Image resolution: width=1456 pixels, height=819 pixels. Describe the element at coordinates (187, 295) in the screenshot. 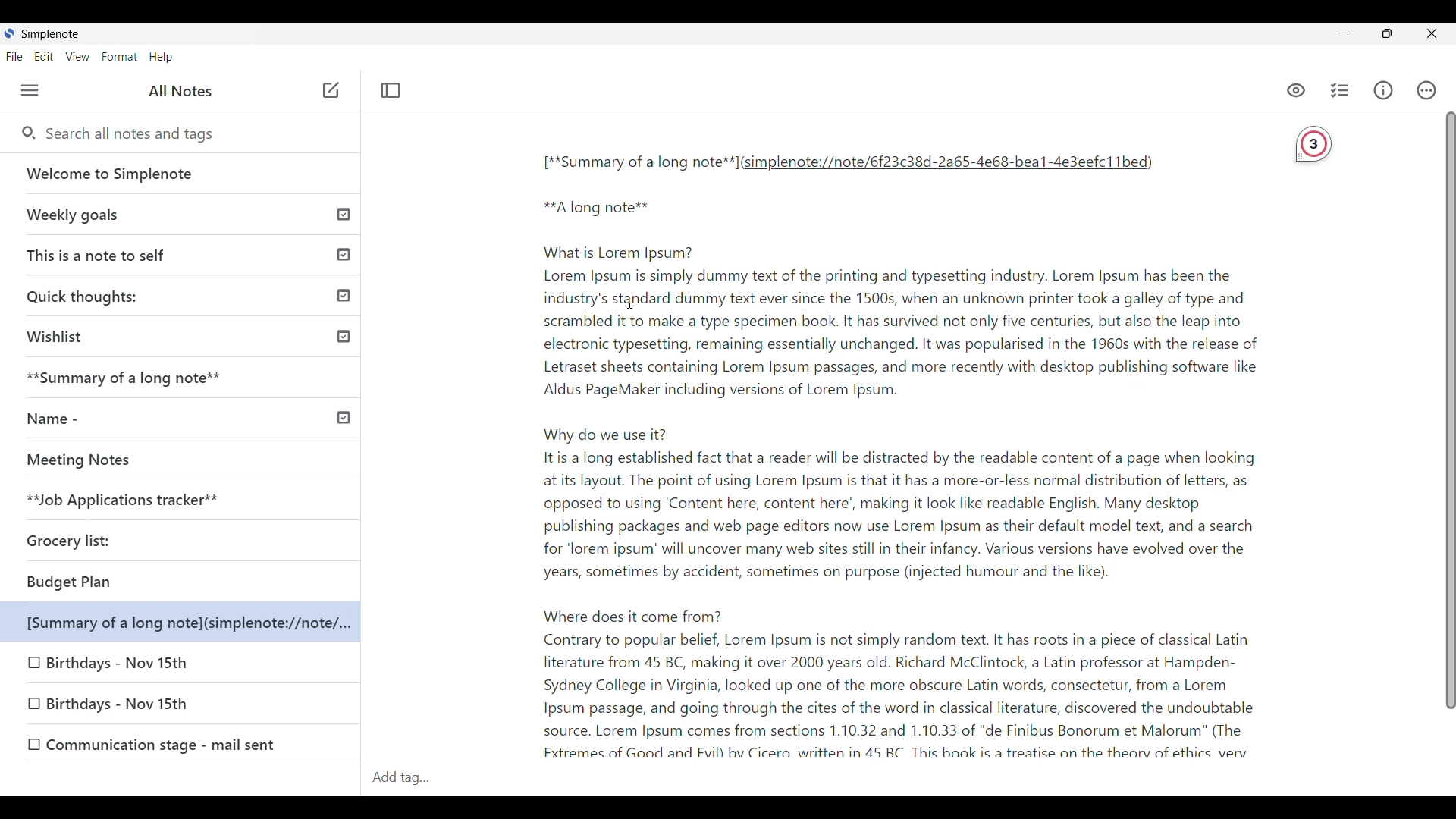

I see `Quick thoughts:` at that location.